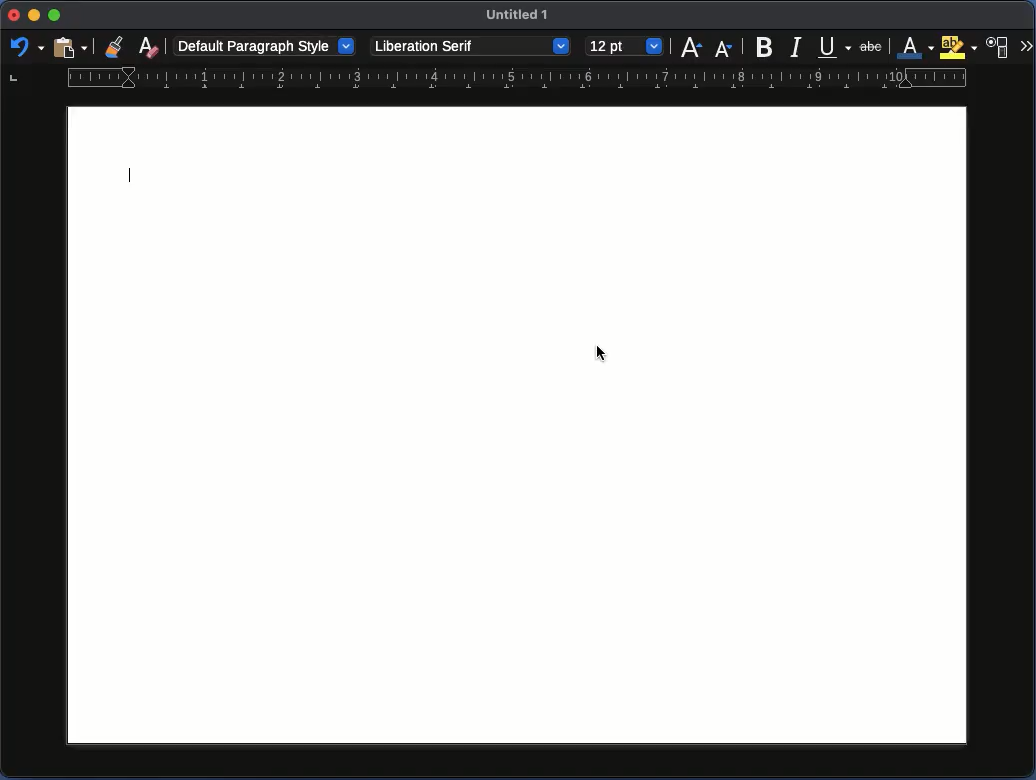 The image size is (1036, 780). Describe the element at coordinates (117, 47) in the screenshot. I see `Clone formatting` at that location.